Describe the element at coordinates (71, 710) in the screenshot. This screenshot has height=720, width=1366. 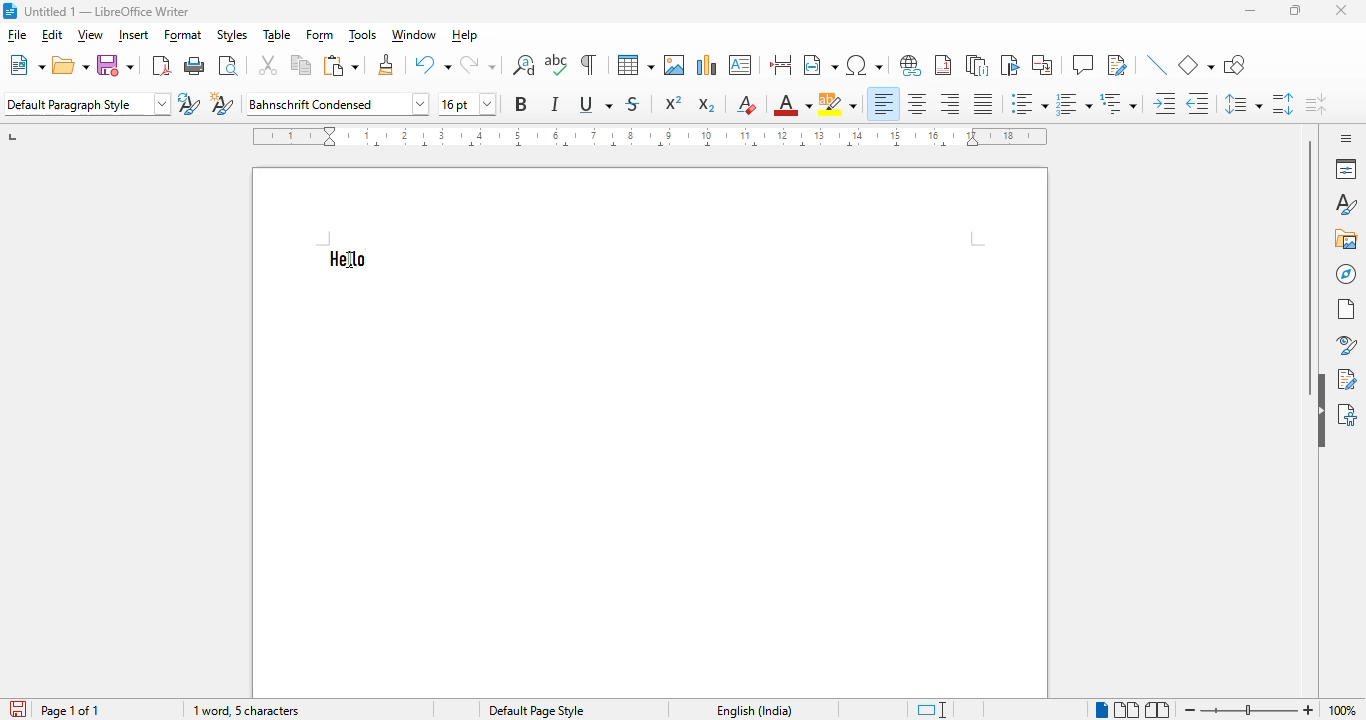
I see `page of 1 of 1` at that location.